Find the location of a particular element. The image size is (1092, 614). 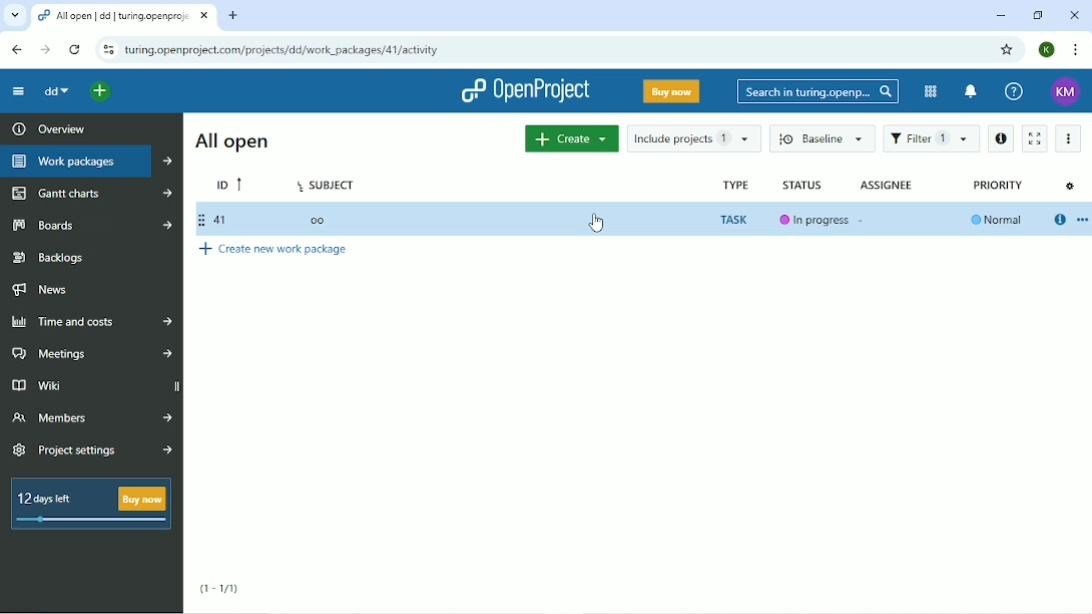

Filter 1 is located at coordinates (932, 138).